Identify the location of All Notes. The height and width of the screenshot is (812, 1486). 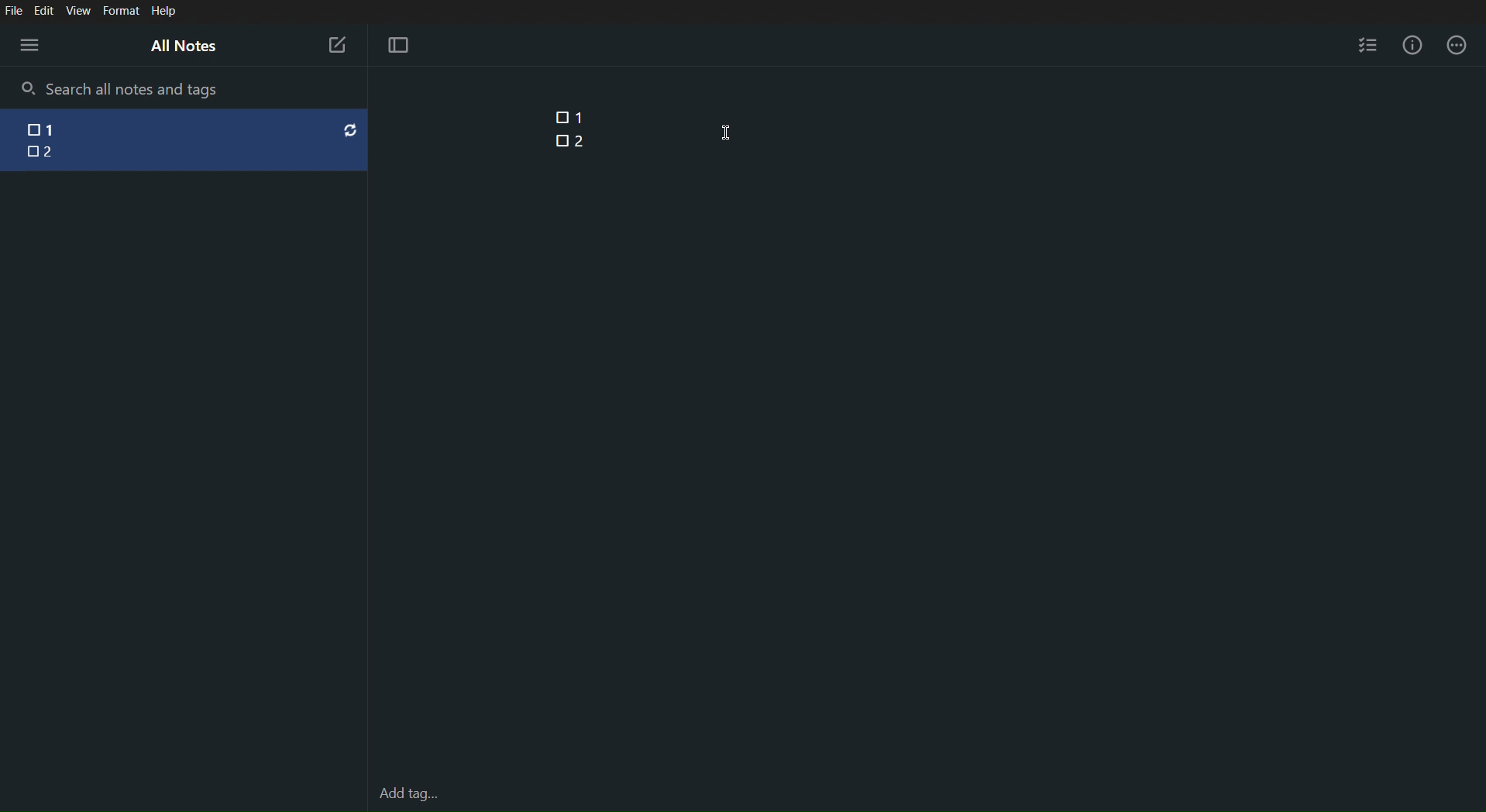
(182, 45).